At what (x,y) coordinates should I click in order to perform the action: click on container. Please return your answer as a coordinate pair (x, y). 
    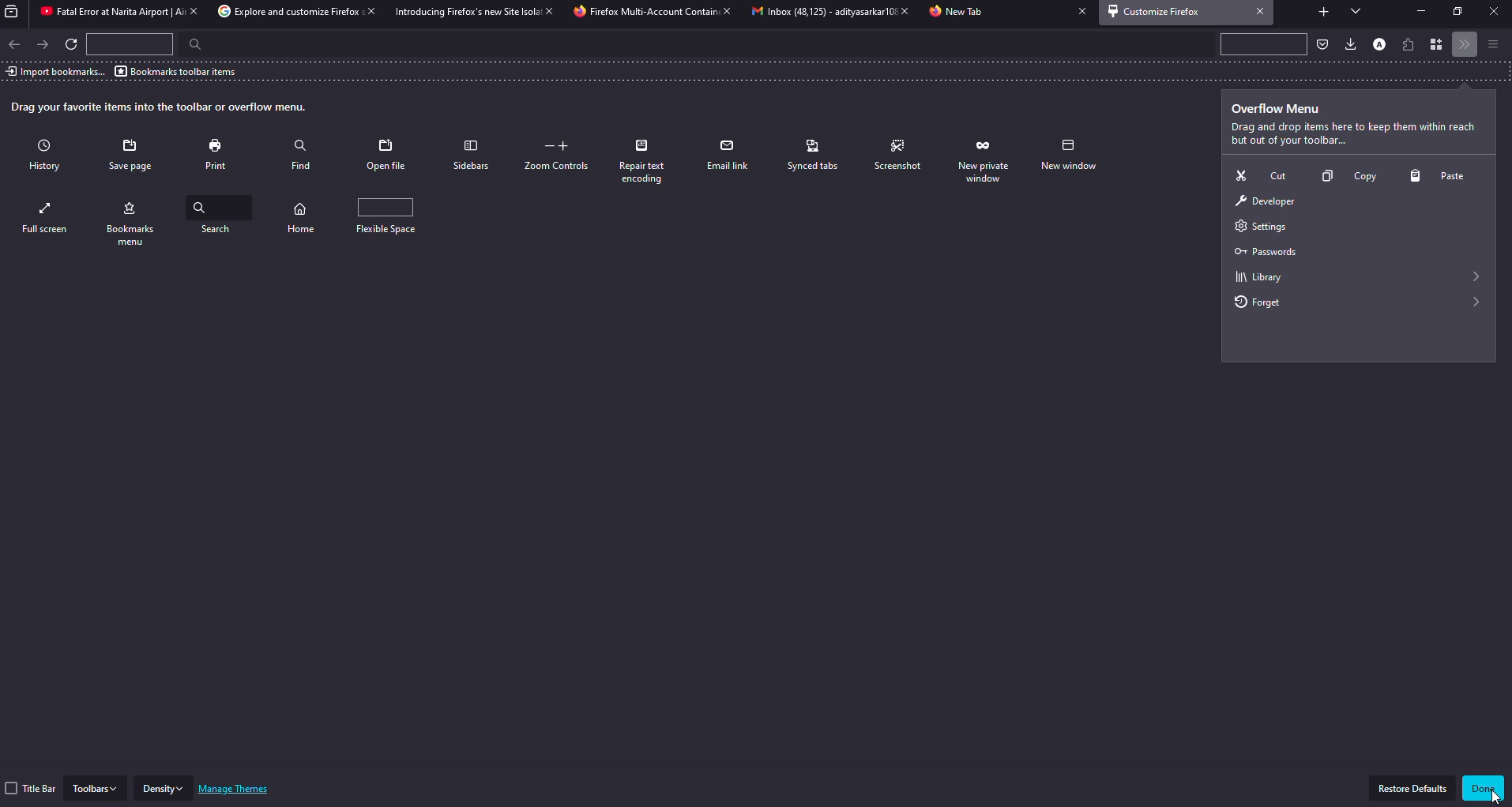
    Looking at the image, I should click on (1439, 45).